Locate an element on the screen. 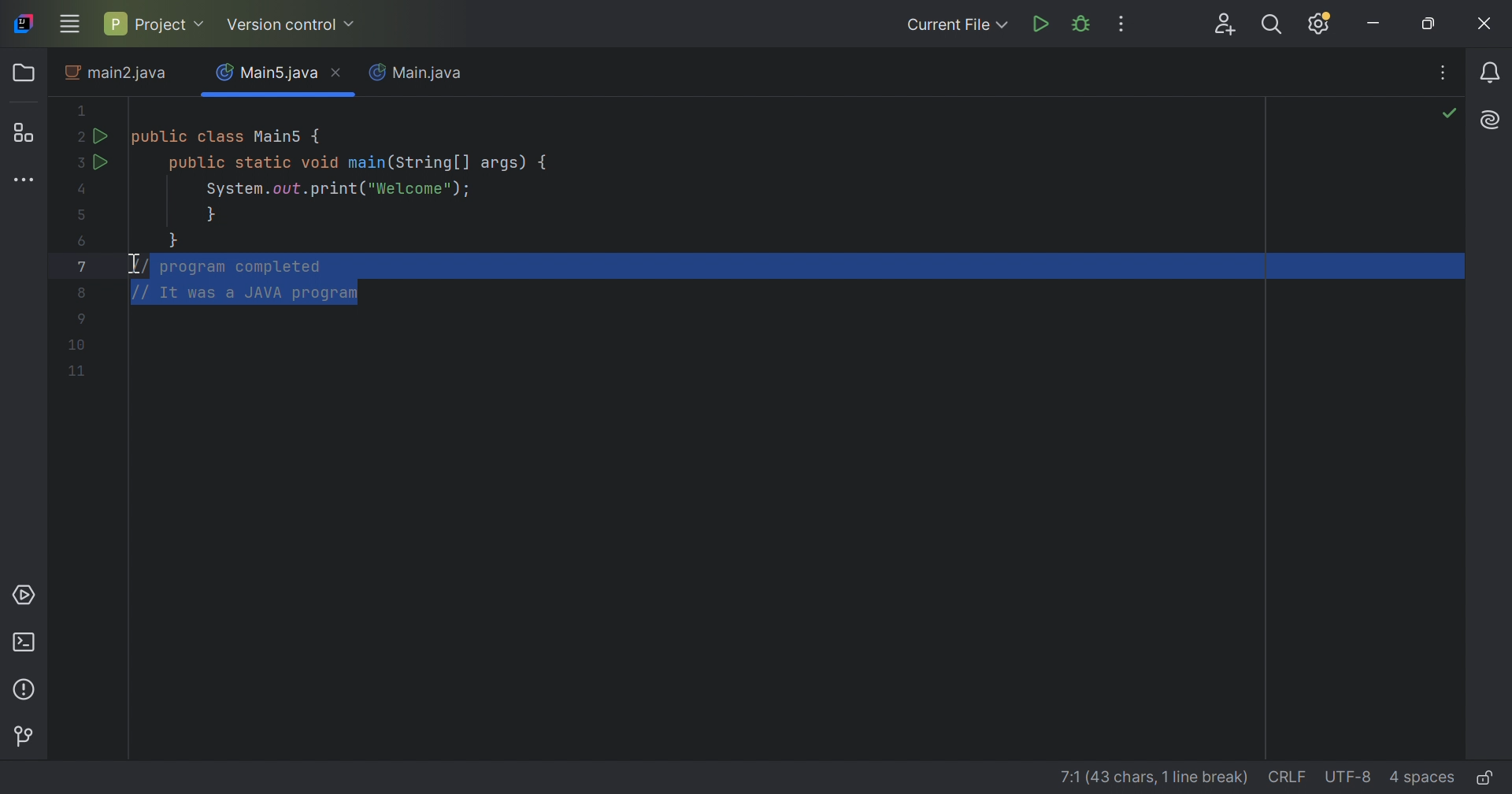 Image resolution: width=1512 pixels, height=794 pixels. Version control is located at coordinates (293, 25).